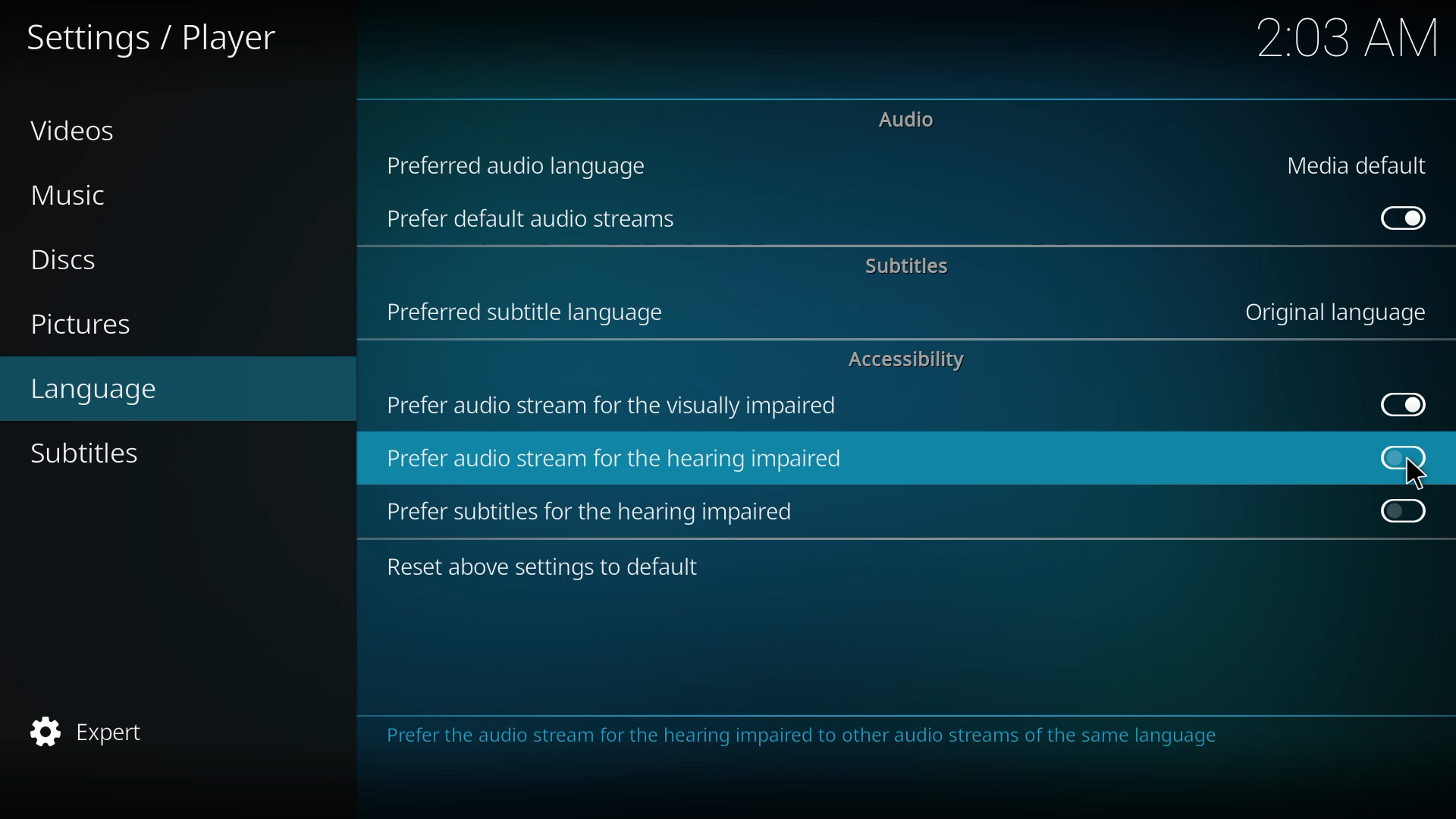 The height and width of the screenshot is (819, 1456). What do you see at coordinates (529, 218) in the screenshot?
I see `prefer default audio` at bounding box center [529, 218].